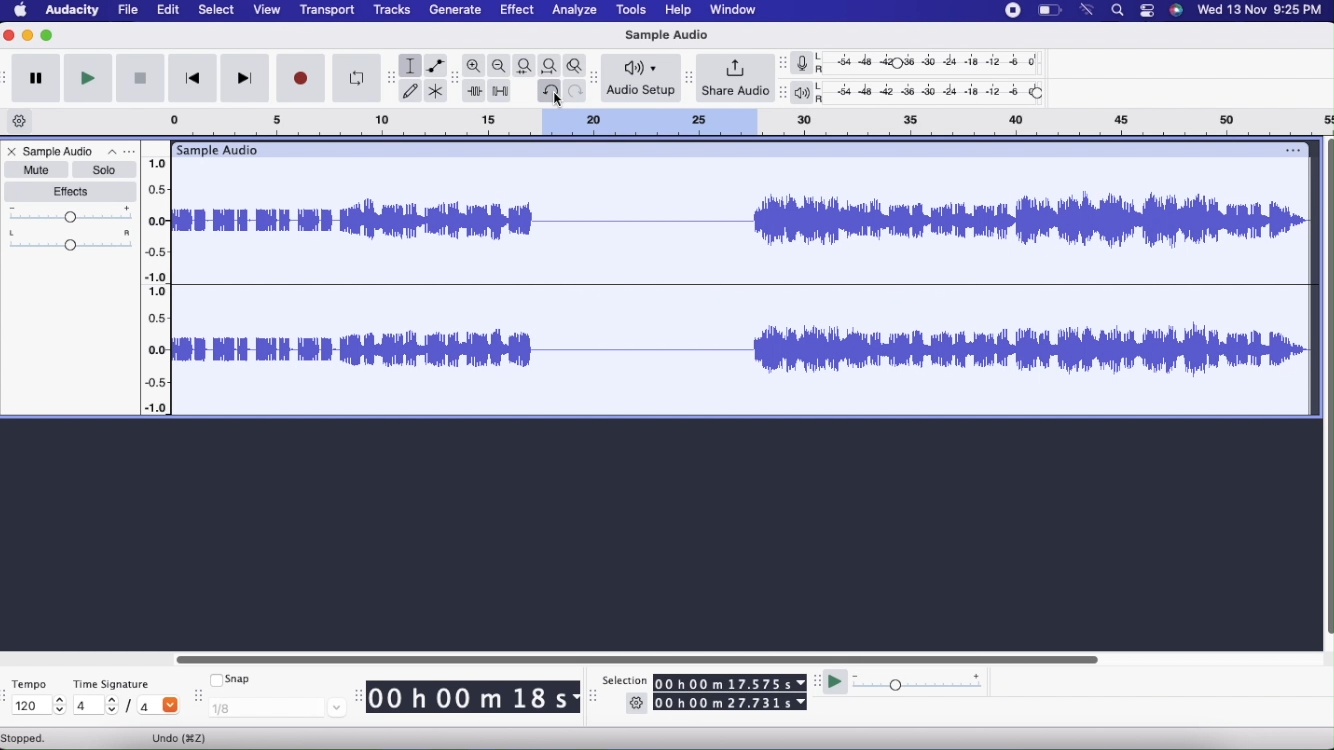 This screenshot has width=1334, height=750. What do you see at coordinates (21, 11) in the screenshot?
I see `Home` at bounding box center [21, 11].